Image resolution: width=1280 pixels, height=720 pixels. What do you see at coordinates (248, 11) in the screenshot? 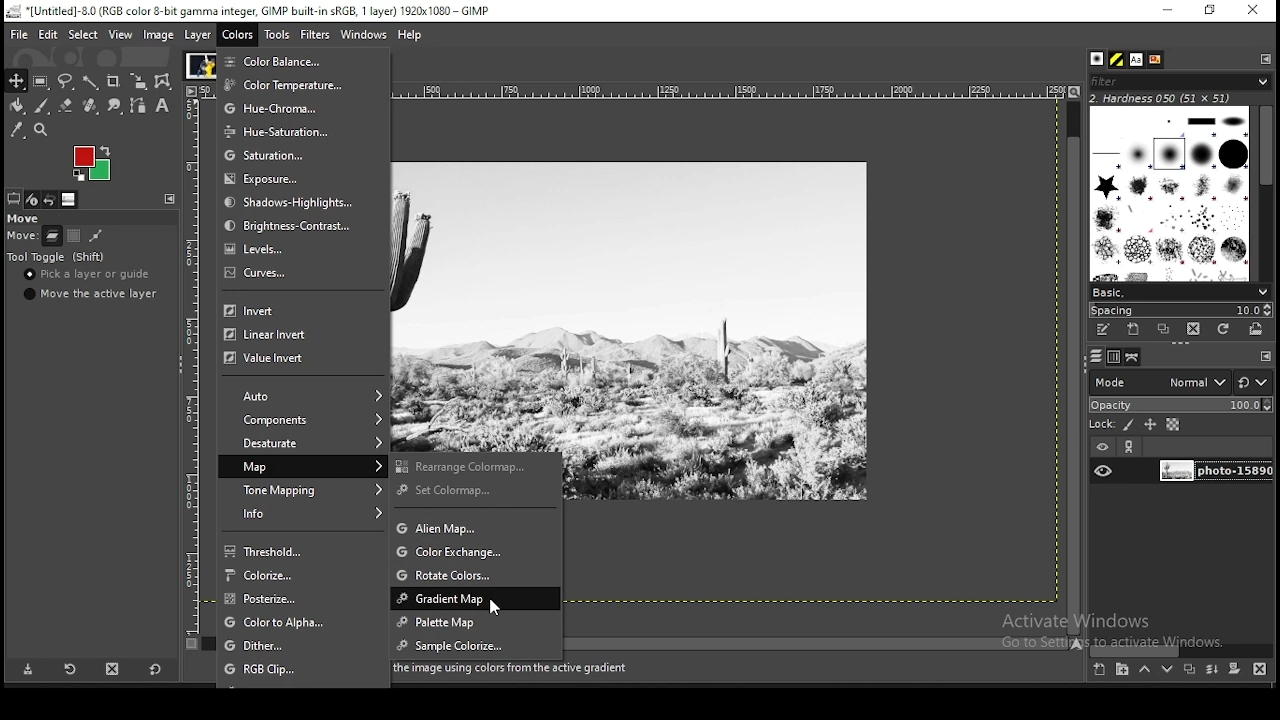
I see `icon and file name` at bounding box center [248, 11].